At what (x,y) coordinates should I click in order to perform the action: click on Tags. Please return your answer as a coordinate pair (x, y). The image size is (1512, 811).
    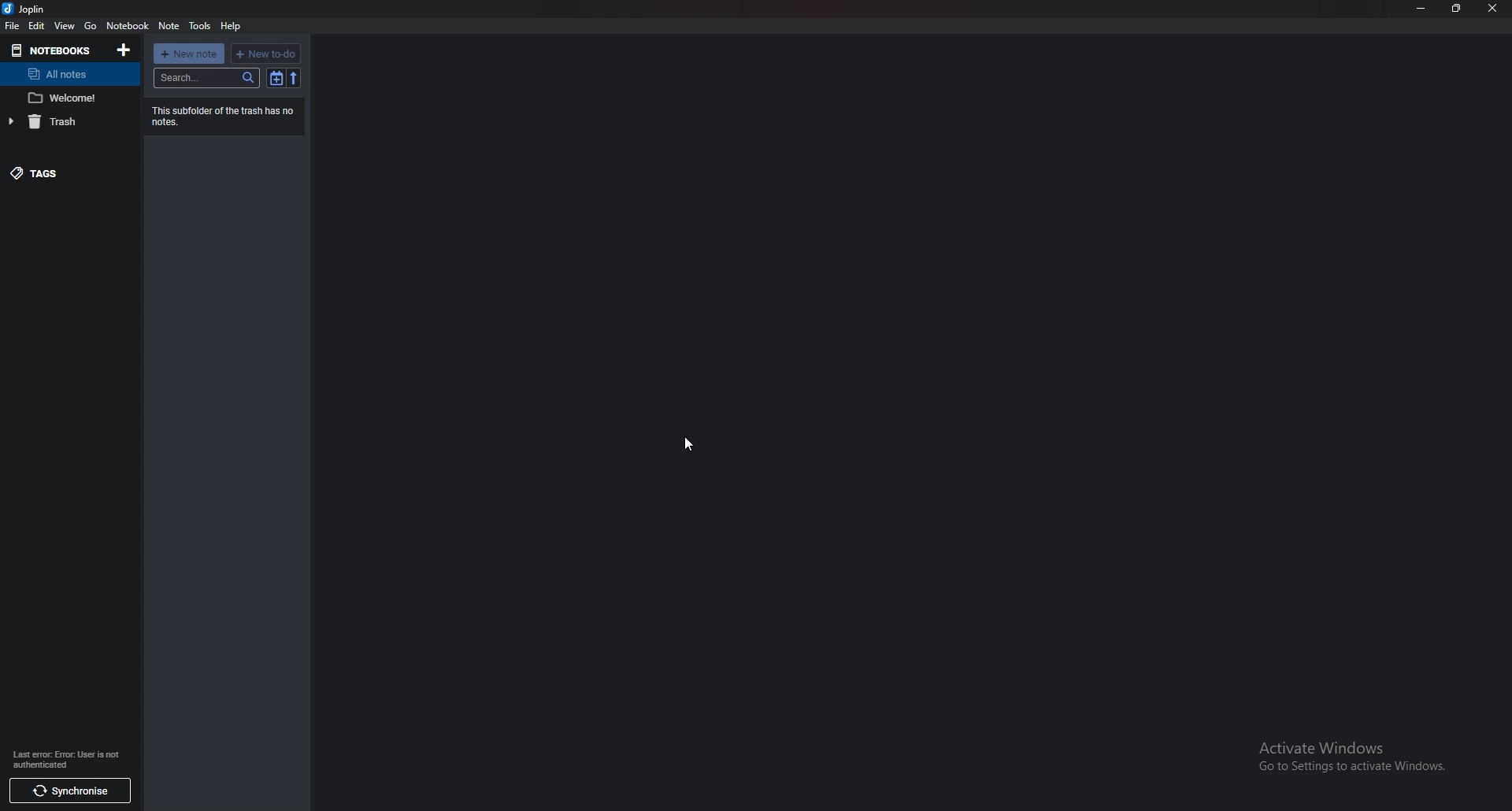
    Looking at the image, I should click on (61, 172).